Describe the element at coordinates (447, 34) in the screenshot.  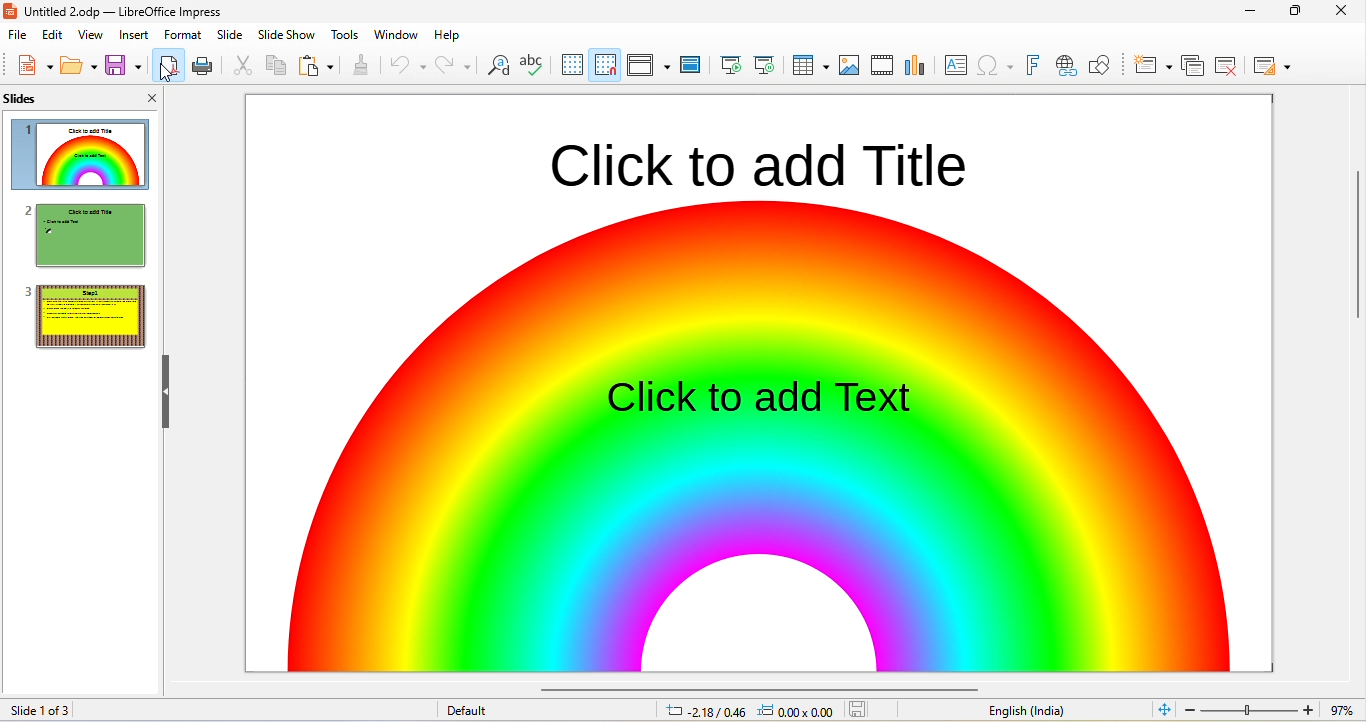
I see `help` at that location.